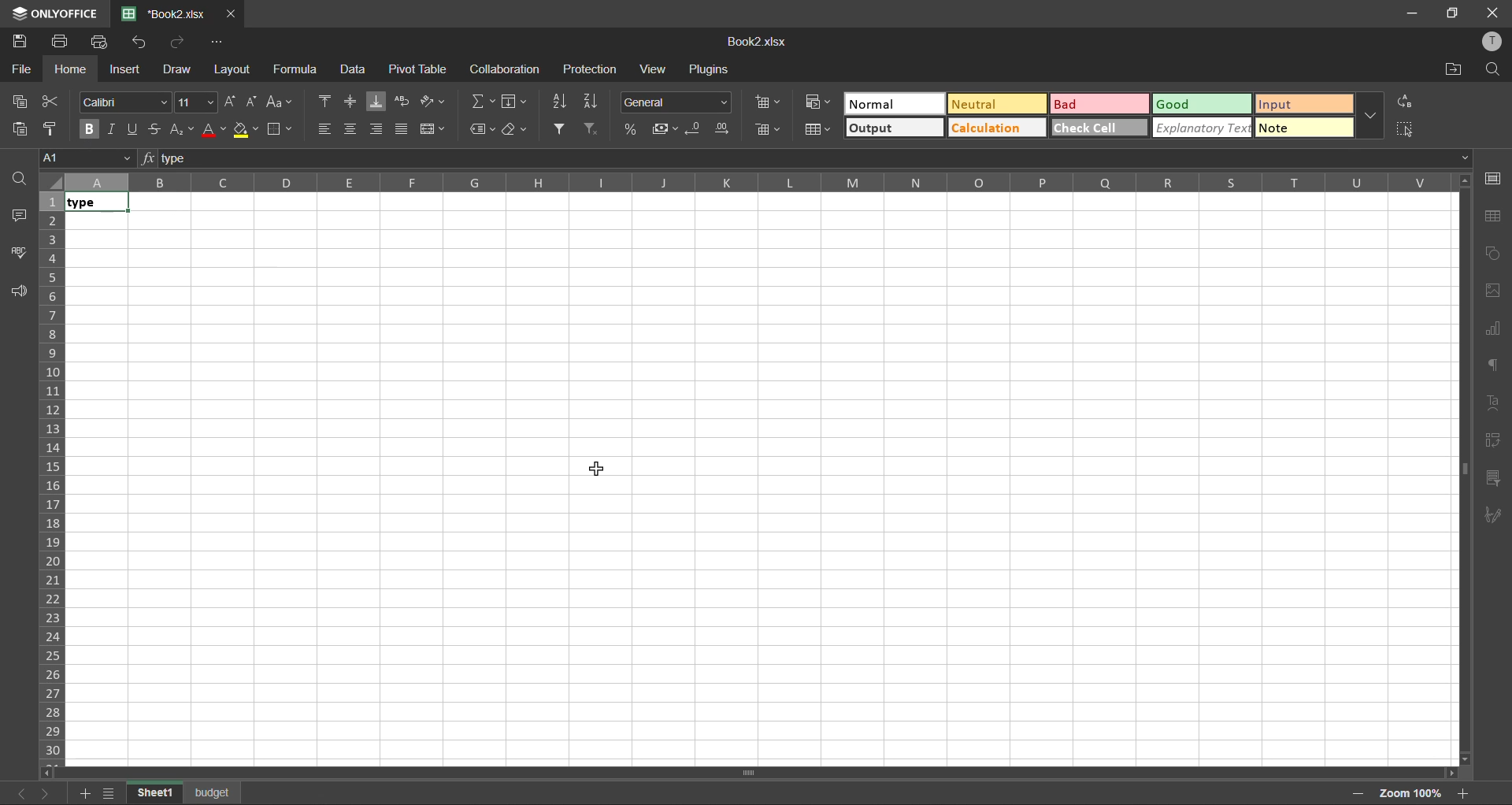  Describe the element at coordinates (1493, 481) in the screenshot. I see `slicer` at that location.